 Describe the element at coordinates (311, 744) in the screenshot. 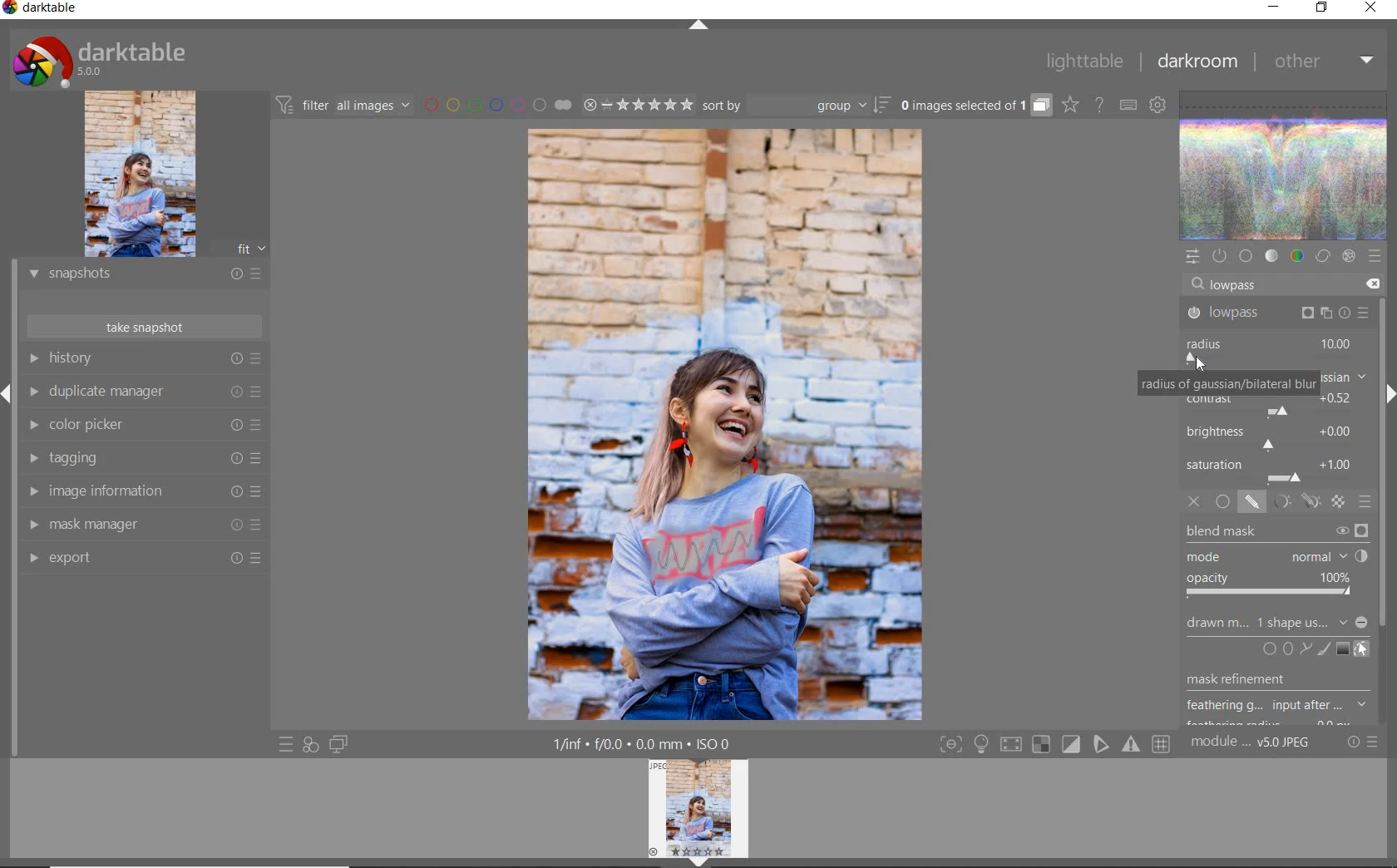

I see `quick access for applying any of your styles` at that location.